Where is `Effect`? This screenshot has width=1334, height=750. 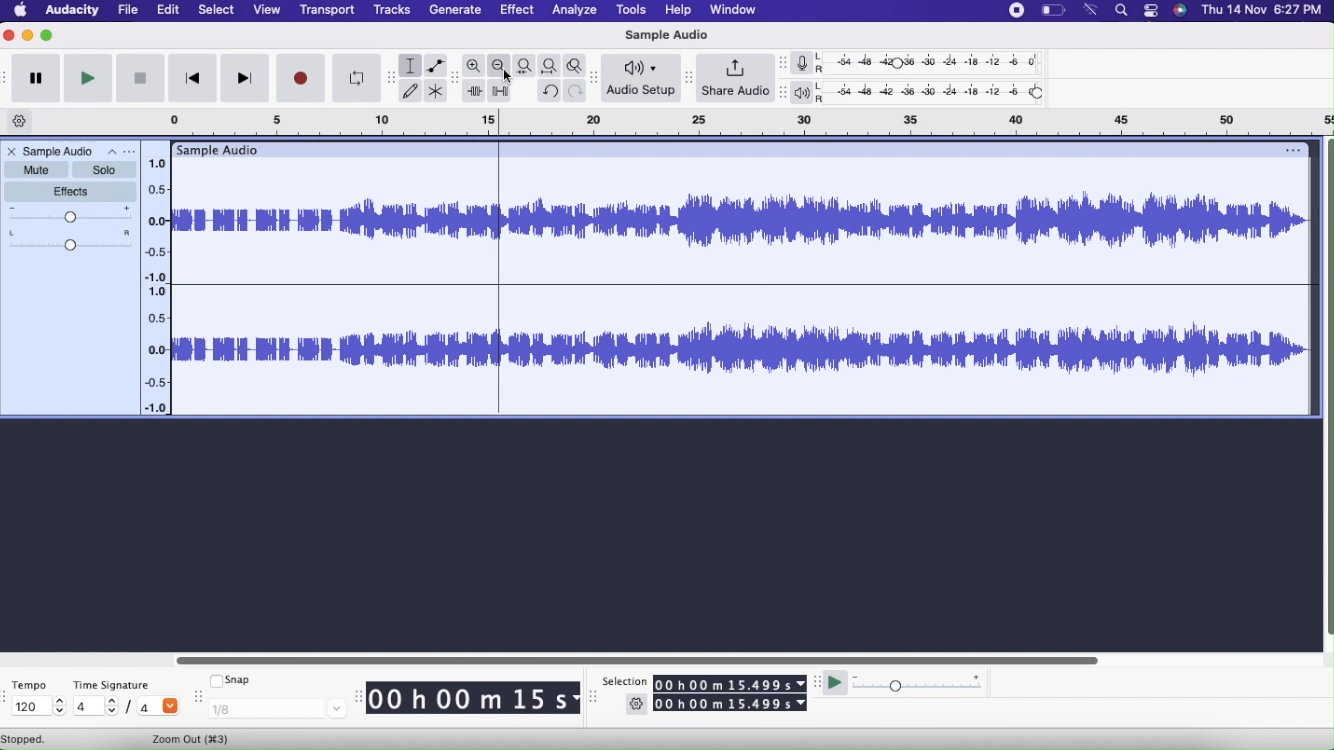
Effect is located at coordinates (516, 11).